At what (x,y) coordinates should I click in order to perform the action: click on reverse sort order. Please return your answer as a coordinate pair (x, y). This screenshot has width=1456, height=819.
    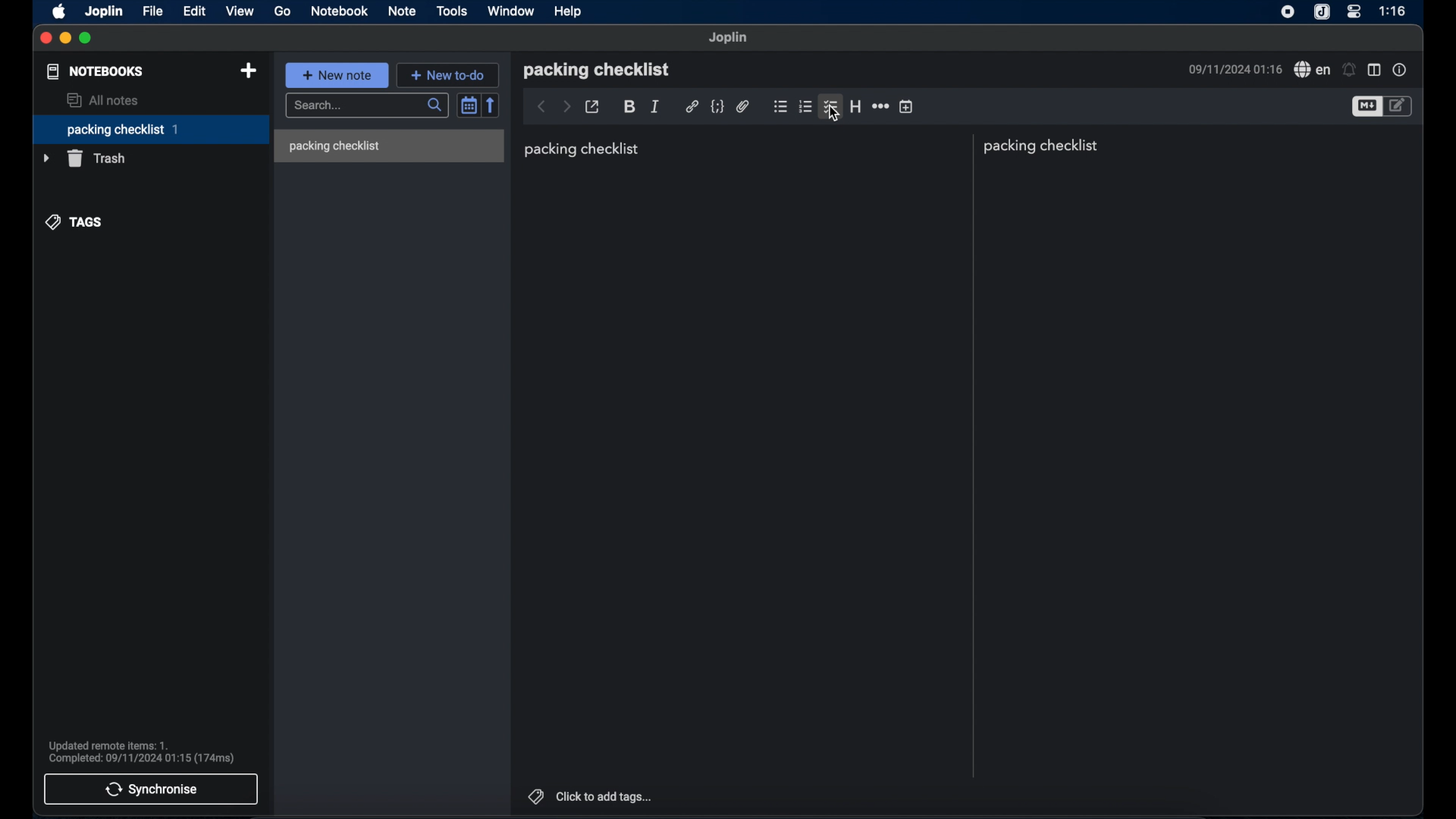
    Looking at the image, I should click on (491, 105).